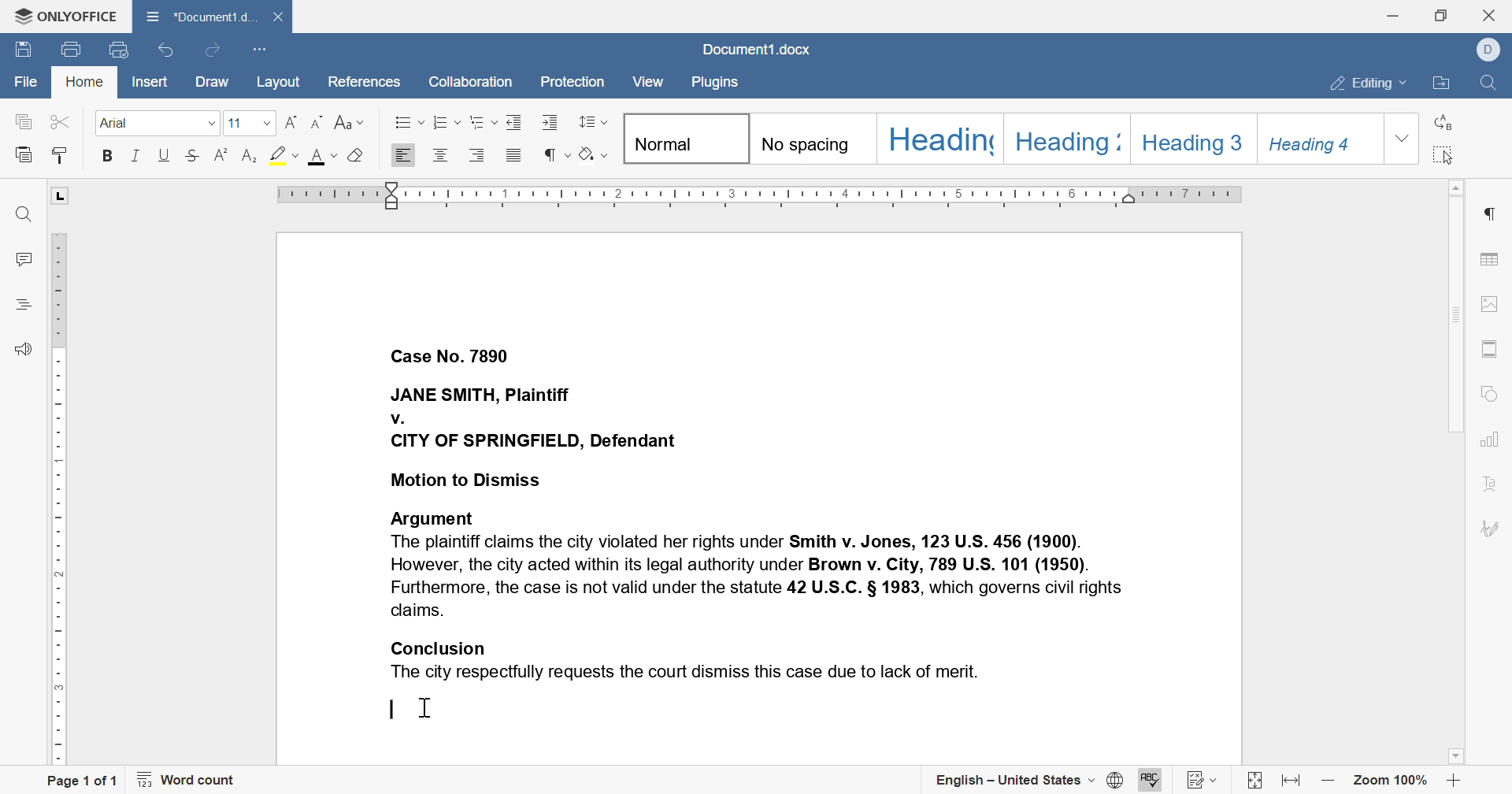 The image size is (1512, 794). Describe the element at coordinates (187, 777) in the screenshot. I see `word count` at that location.